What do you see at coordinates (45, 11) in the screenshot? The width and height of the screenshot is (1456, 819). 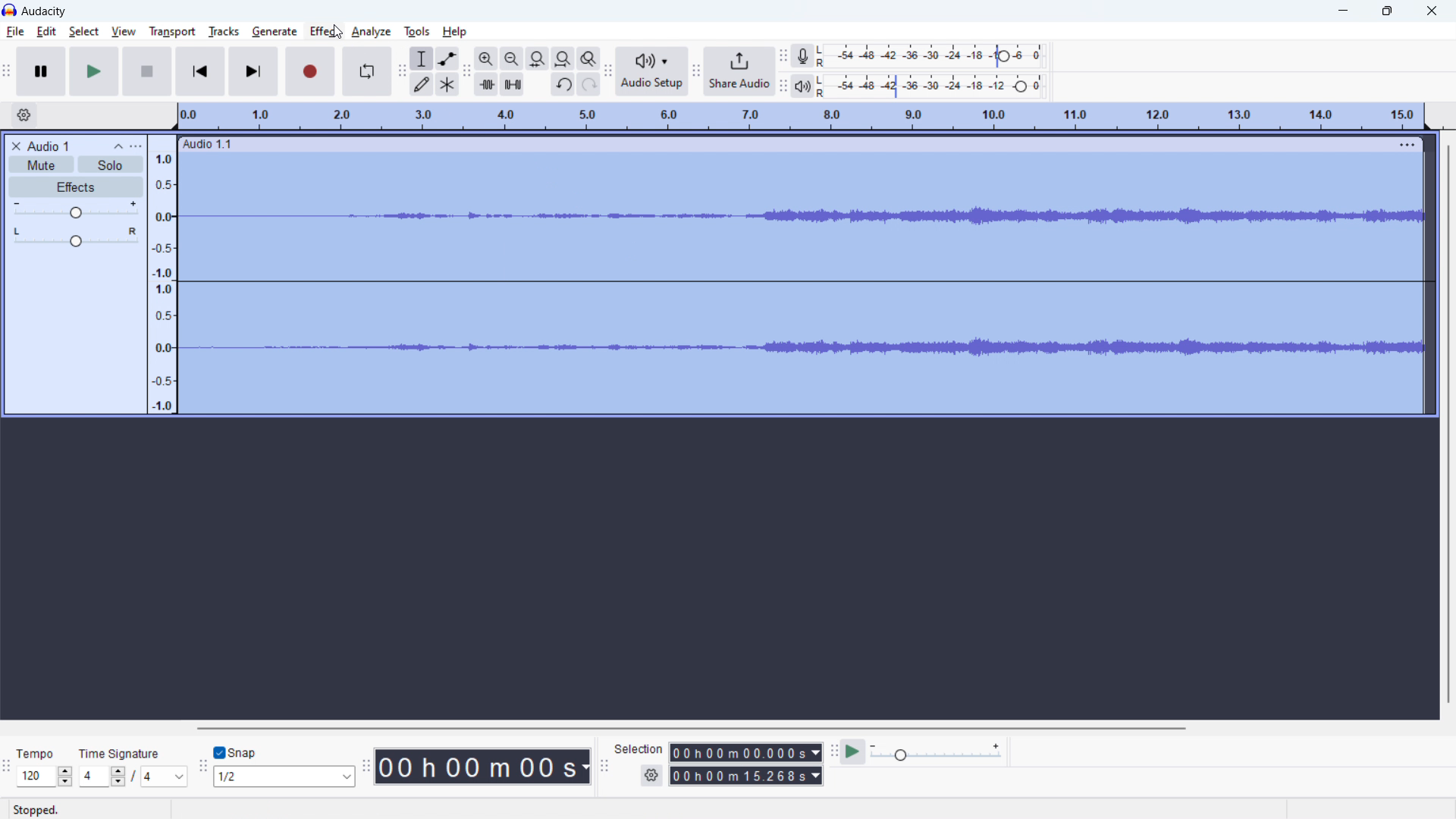 I see `Audacity` at bounding box center [45, 11].